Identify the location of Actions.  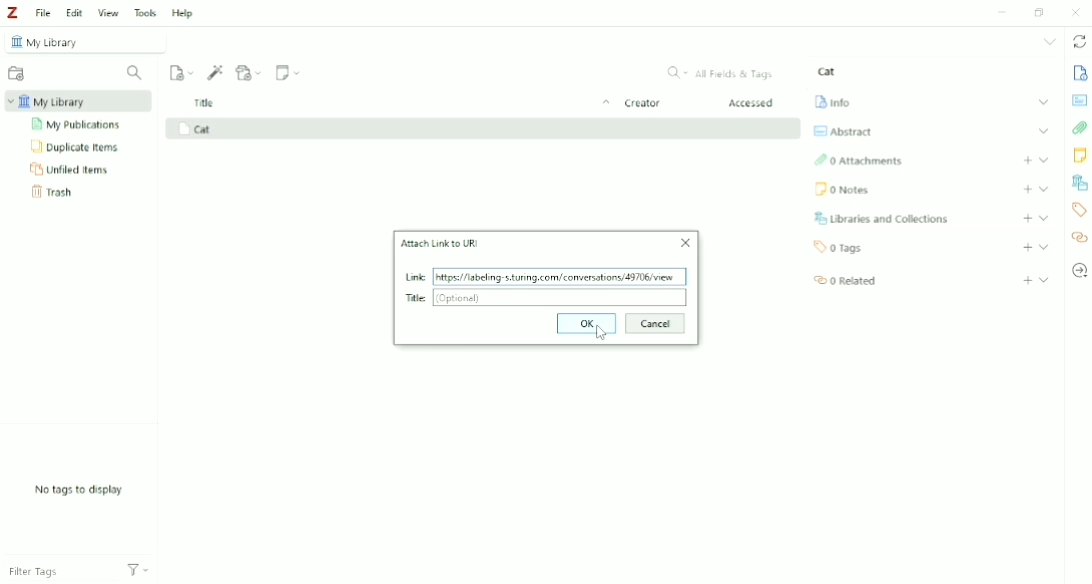
(138, 568).